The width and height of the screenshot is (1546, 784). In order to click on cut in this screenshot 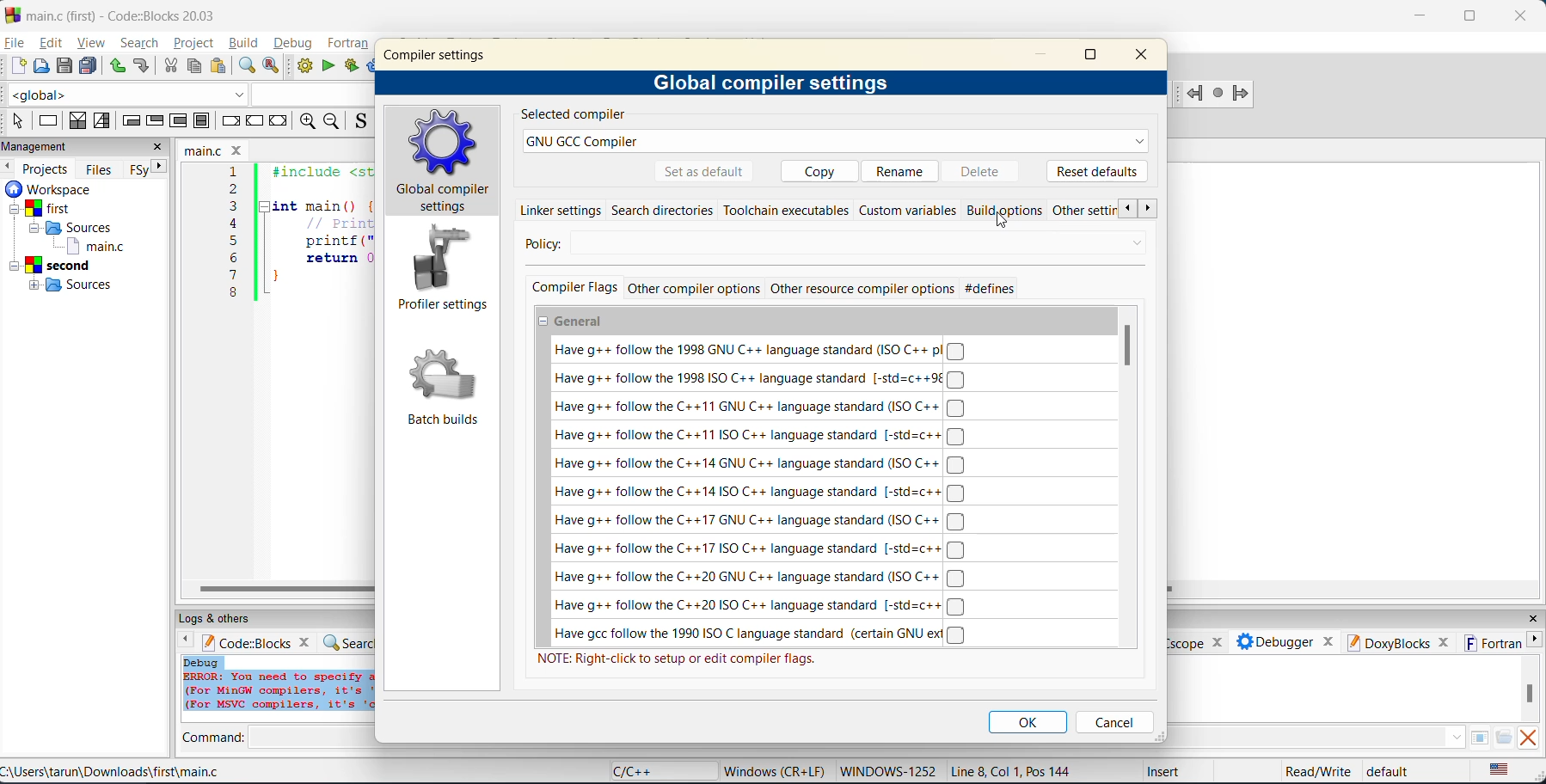, I will do `click(171, 66)`.